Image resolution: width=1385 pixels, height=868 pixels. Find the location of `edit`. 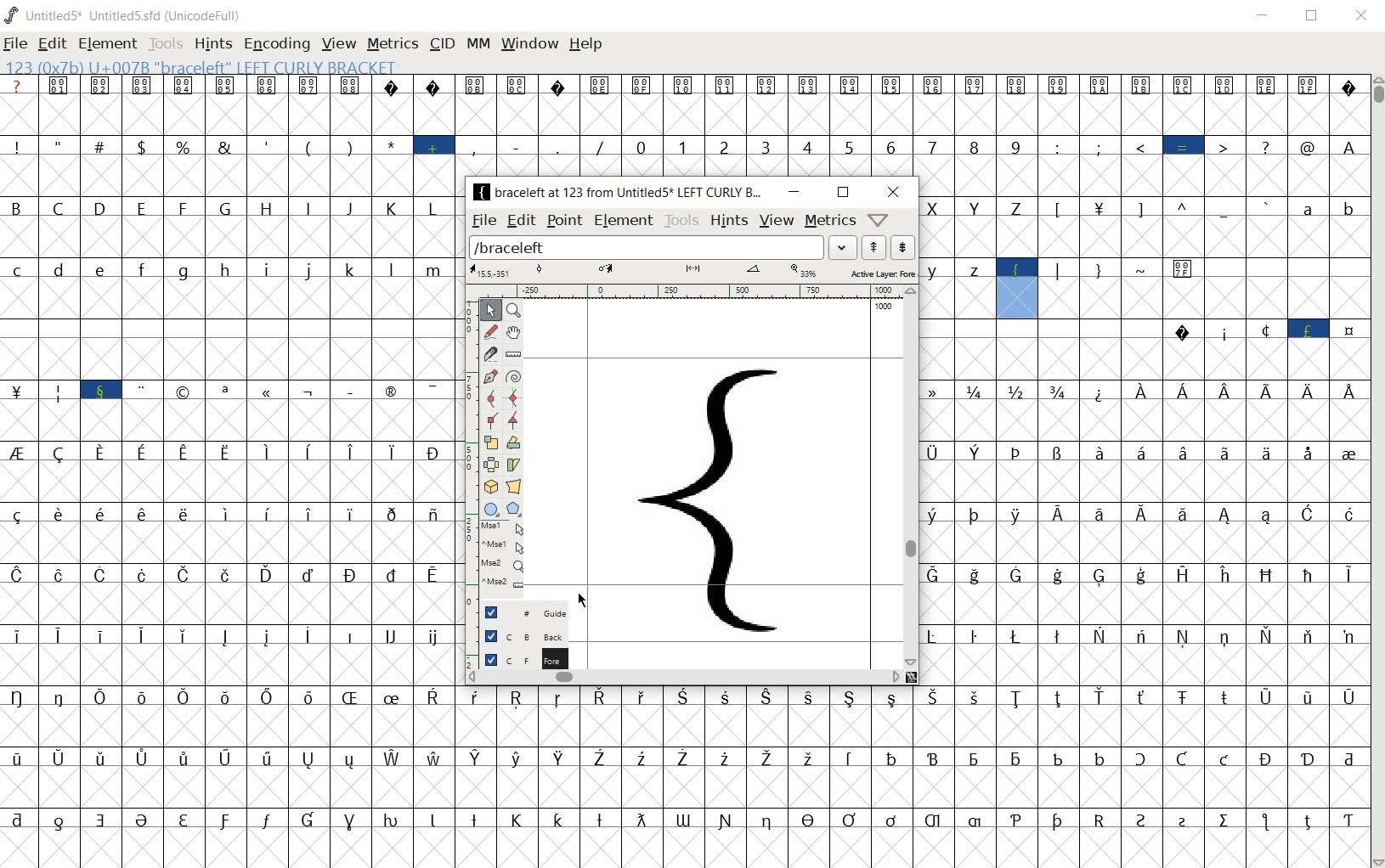

edit is located at coordinates (51, 46).